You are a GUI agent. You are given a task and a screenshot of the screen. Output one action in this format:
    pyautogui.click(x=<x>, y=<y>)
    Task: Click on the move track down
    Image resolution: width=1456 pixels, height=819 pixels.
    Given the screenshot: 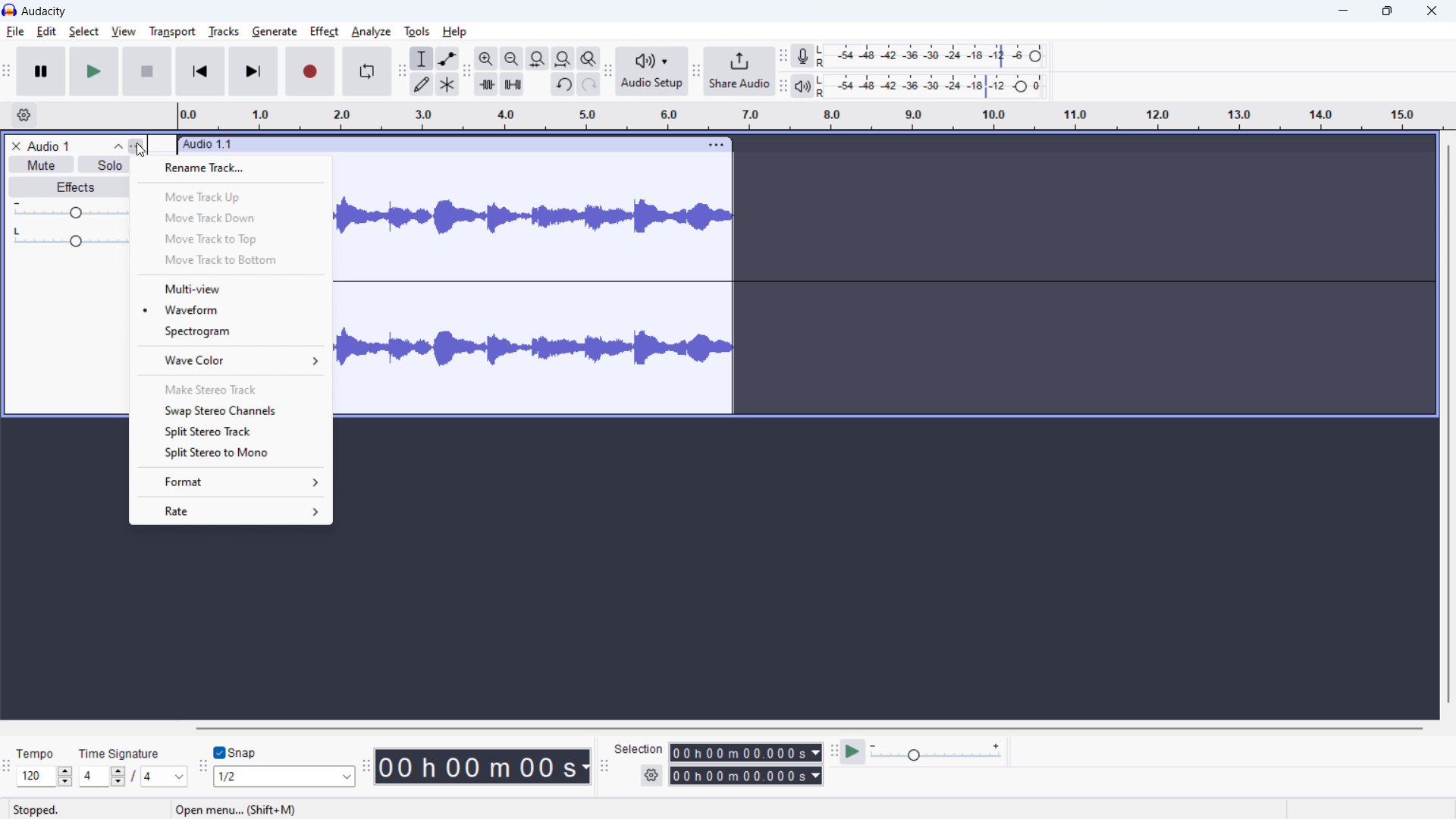 What is the action you would take?
    pyautogui.click(x=231, y=218)
    